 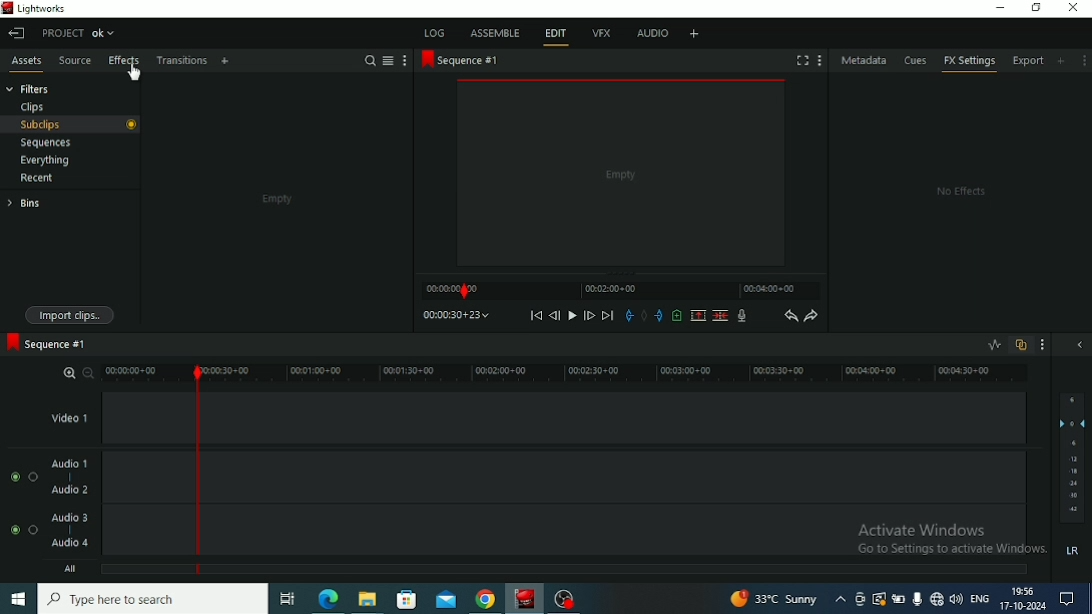 I want to click on Text "empty", so click(x=277, y=199).